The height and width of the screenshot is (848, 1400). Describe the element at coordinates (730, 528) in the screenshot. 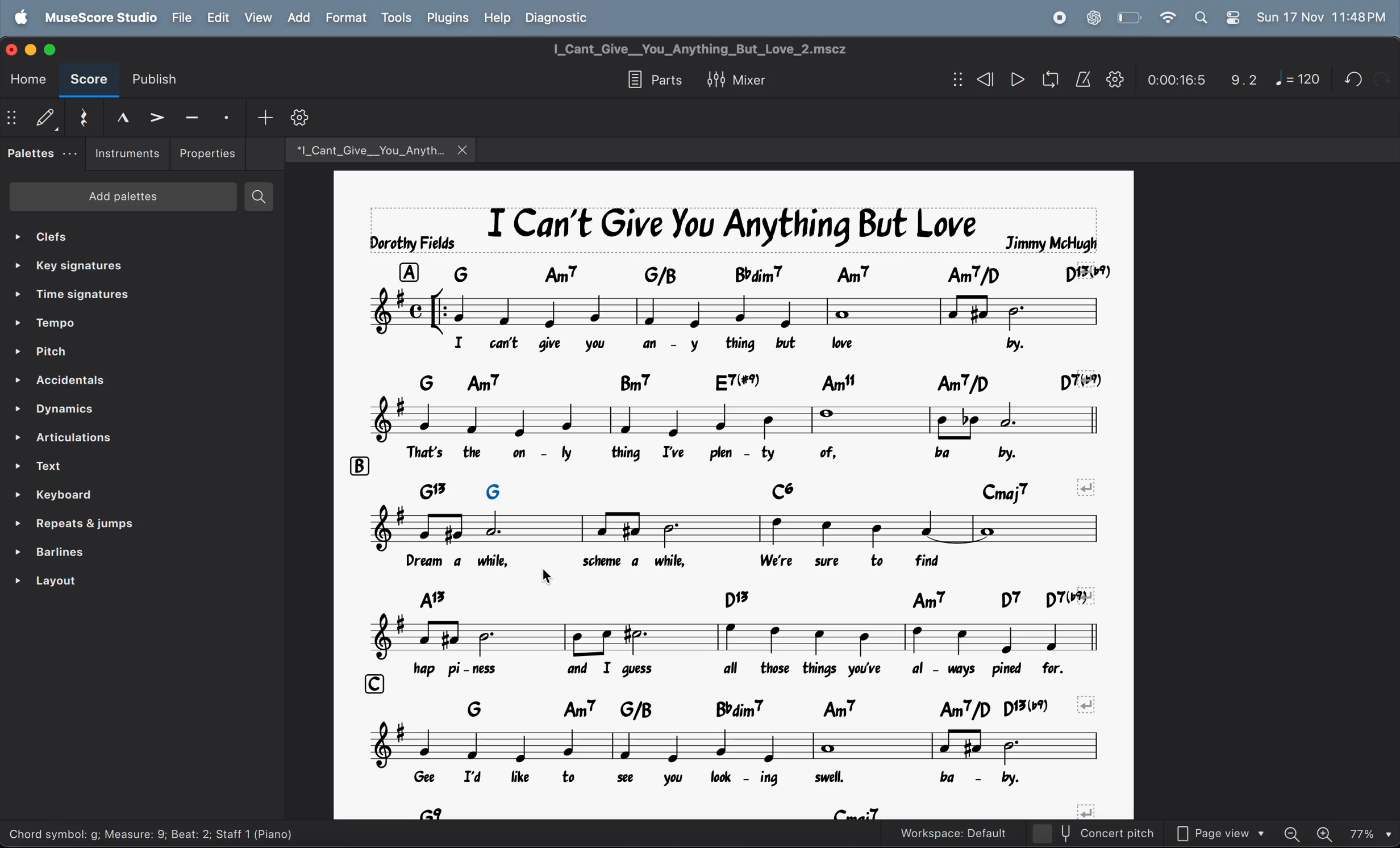

I see `notes` at that location.